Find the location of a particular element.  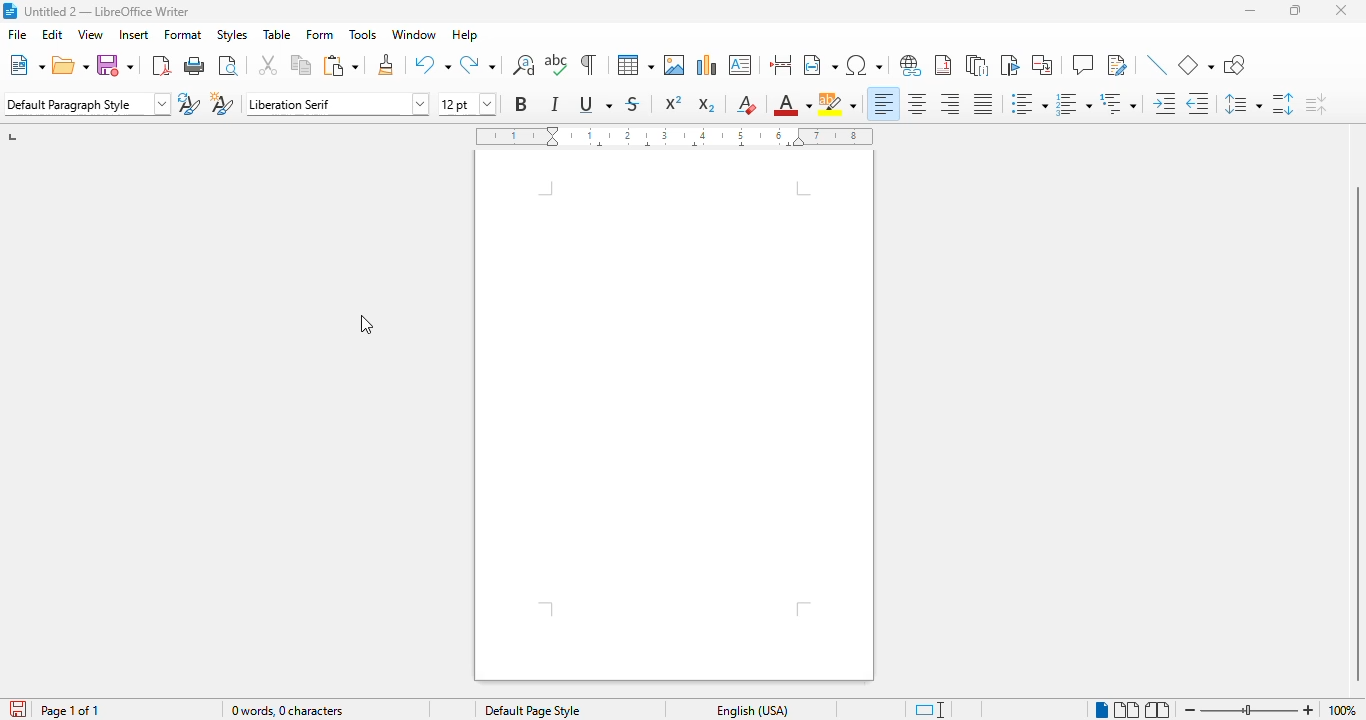

edit is located at coordinates (52, 34).